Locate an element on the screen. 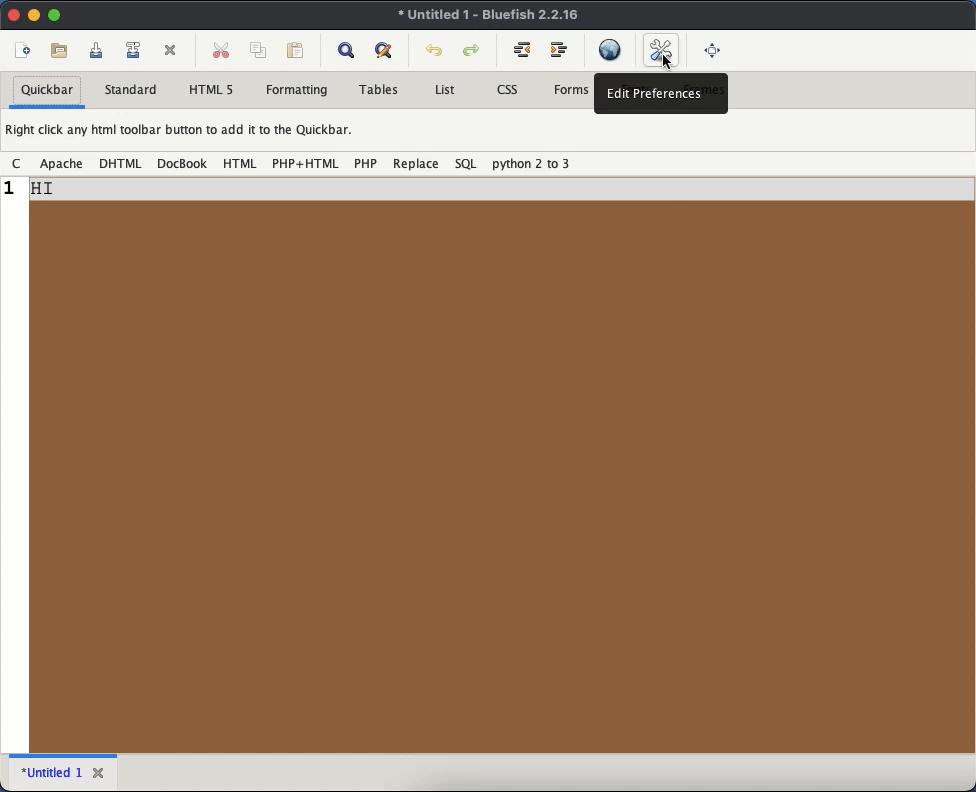  * Untitled 1 - Bluefish 2.2.16 is located at coordinates (493, 17).